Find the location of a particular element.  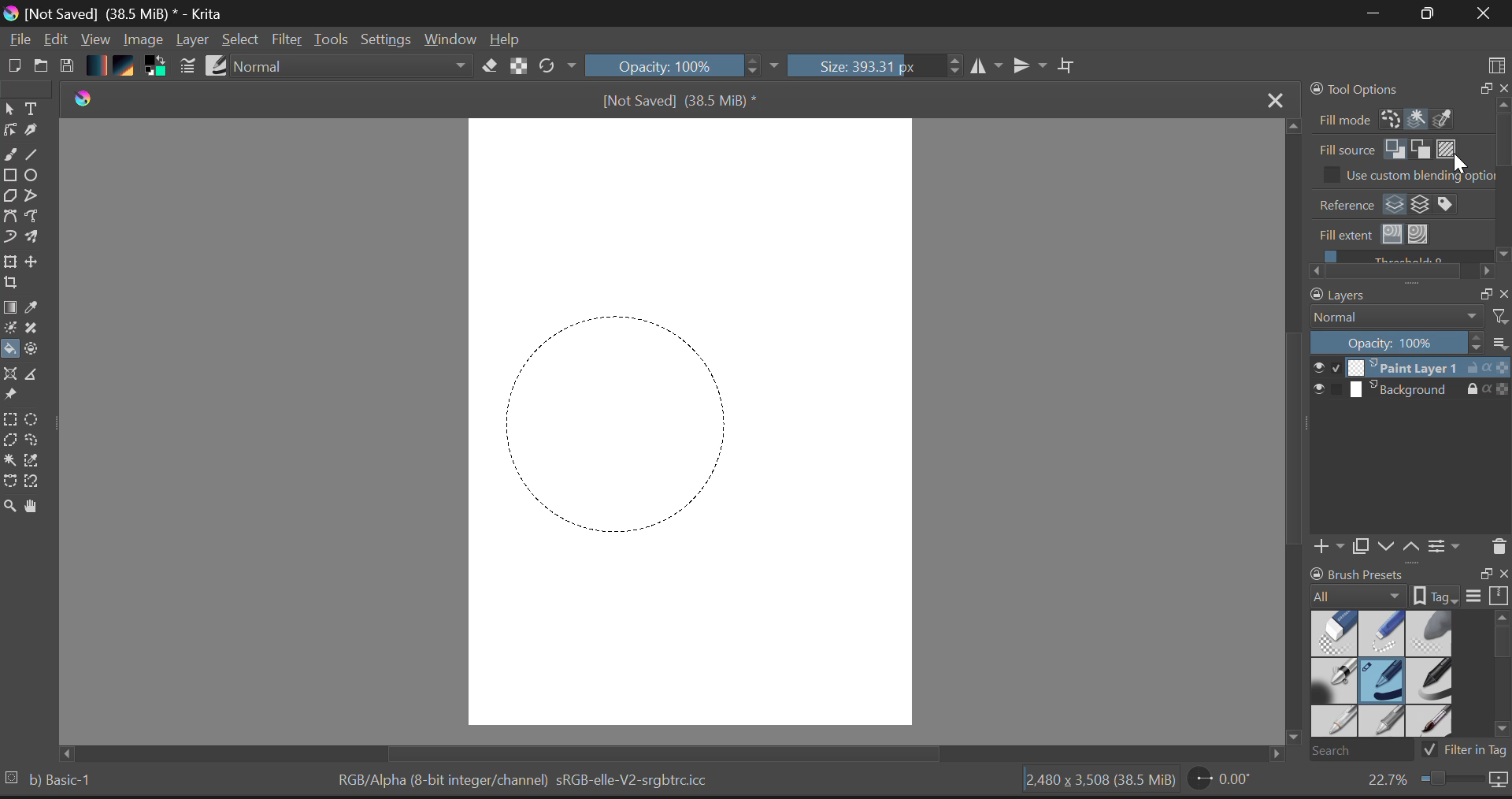

Multibrush Tool is located at coordinates (37, 238).